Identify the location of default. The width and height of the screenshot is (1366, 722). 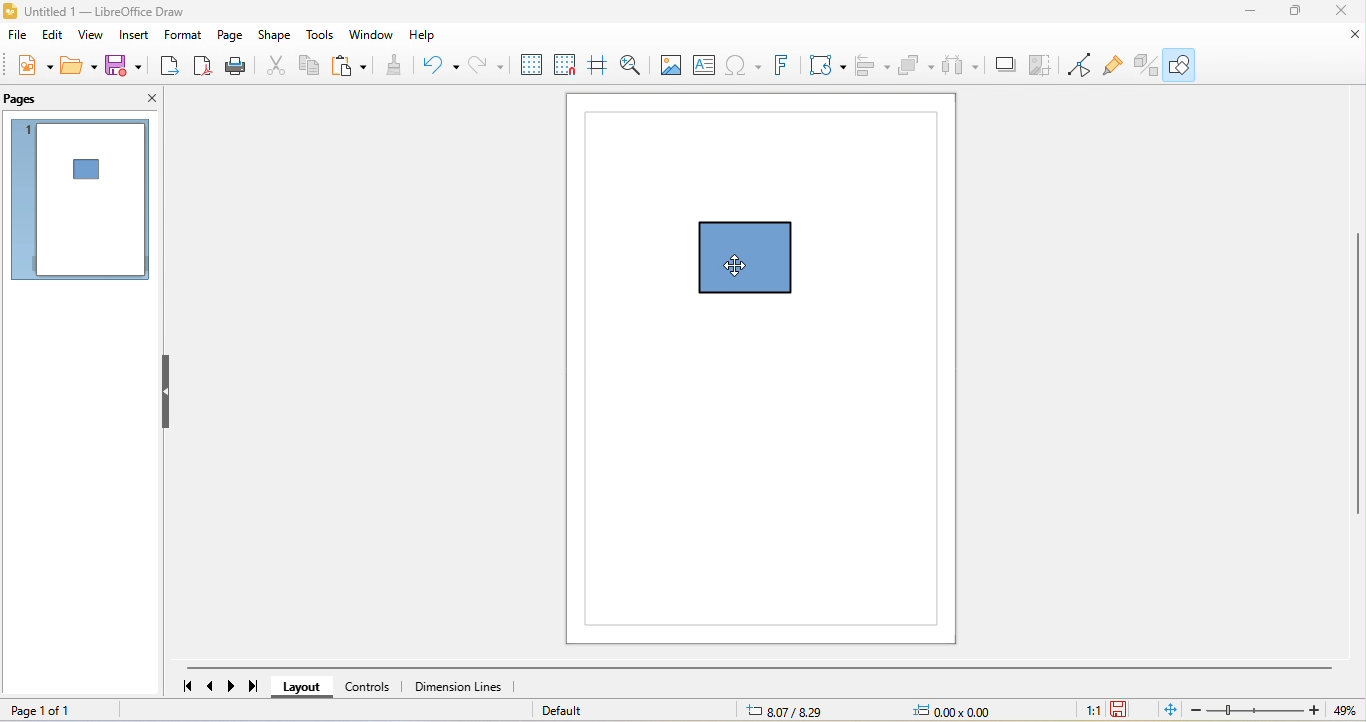
(572, 711).